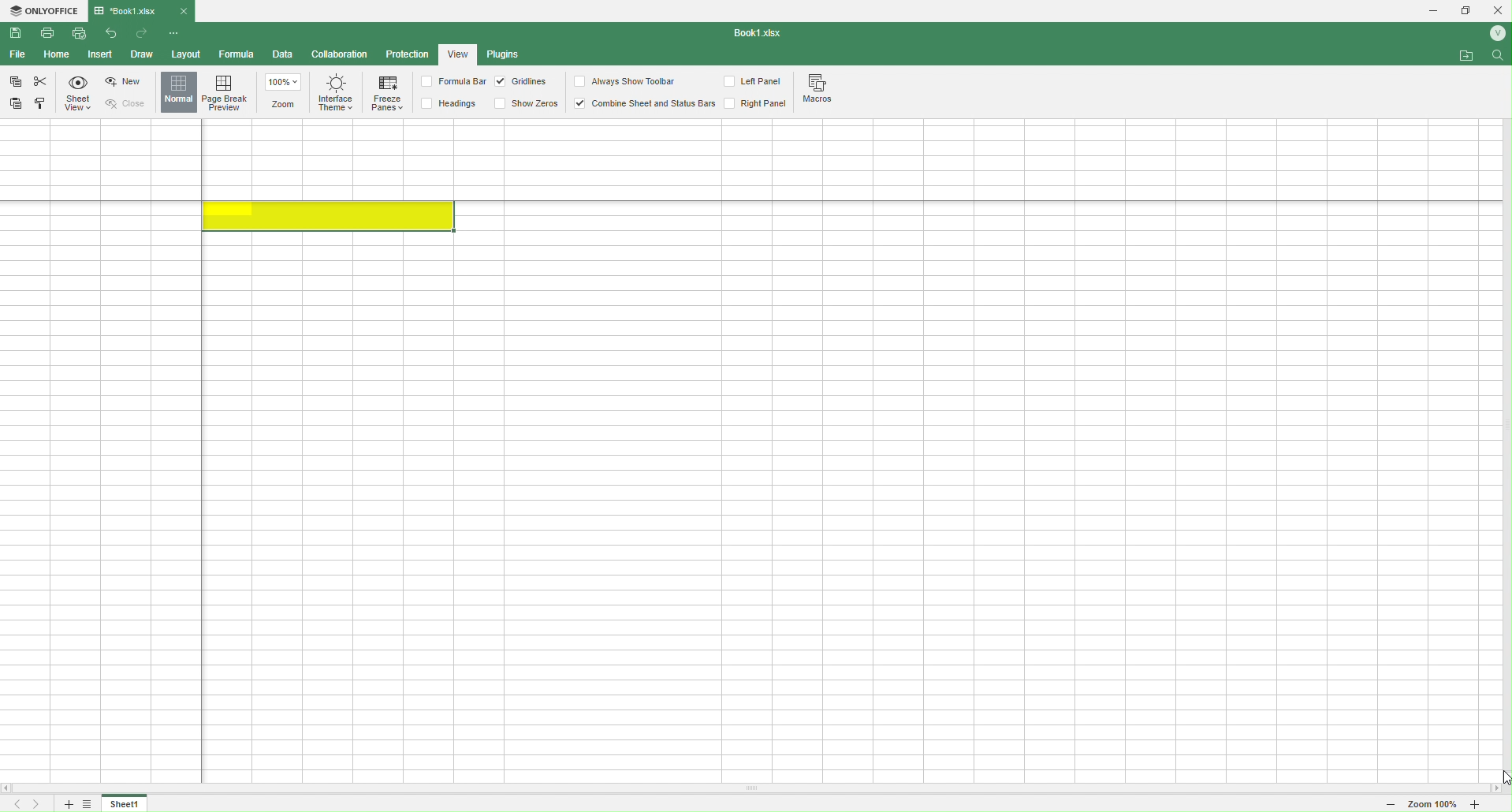 The image size is (1512, 812). What do you see at coordinates (458, 53) in the screenshot?
I see `View` at bounding box center [458, 53].